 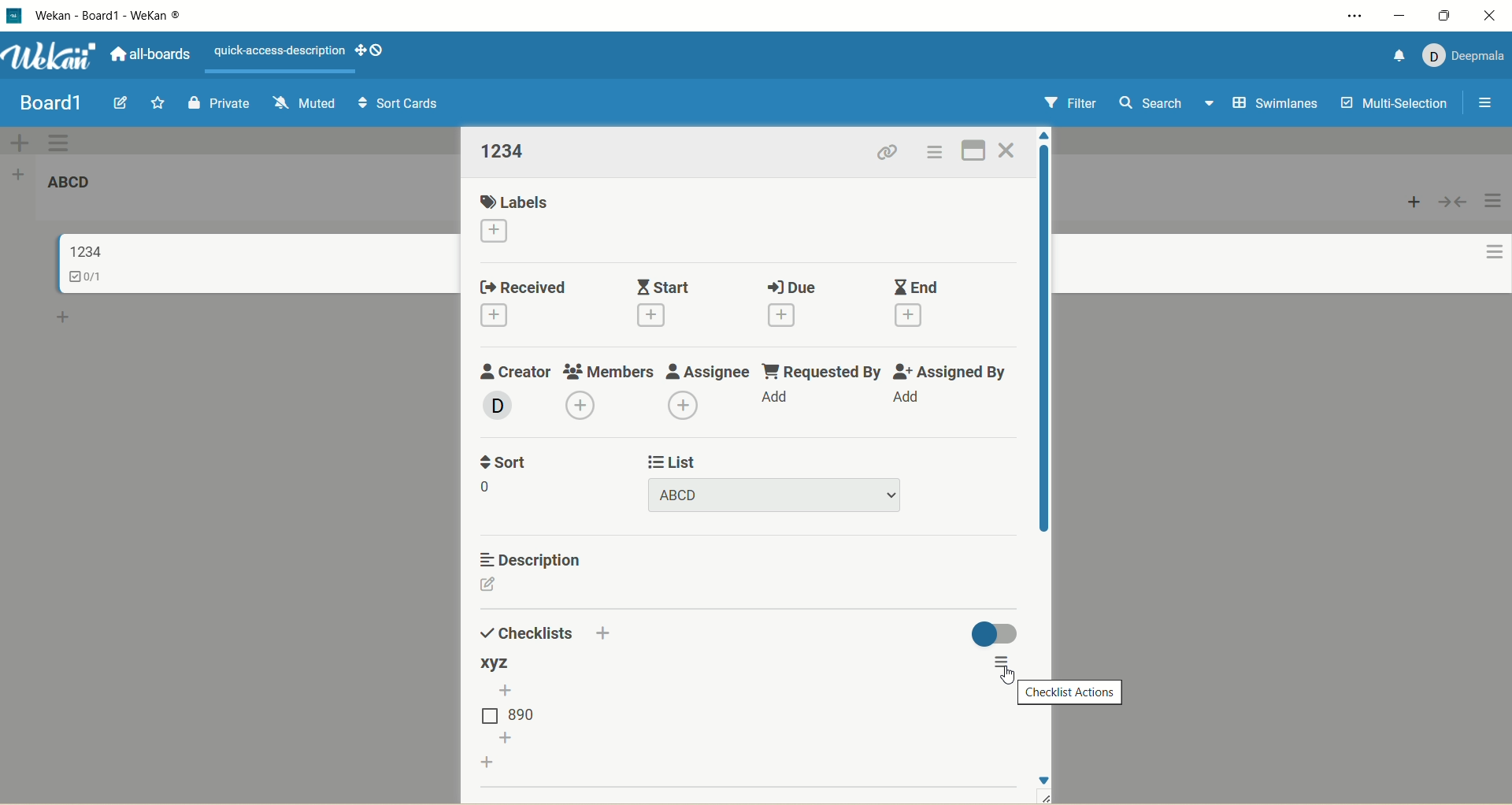 I want to click on show-desktop-drag-handles, so click(x=369, y=50).